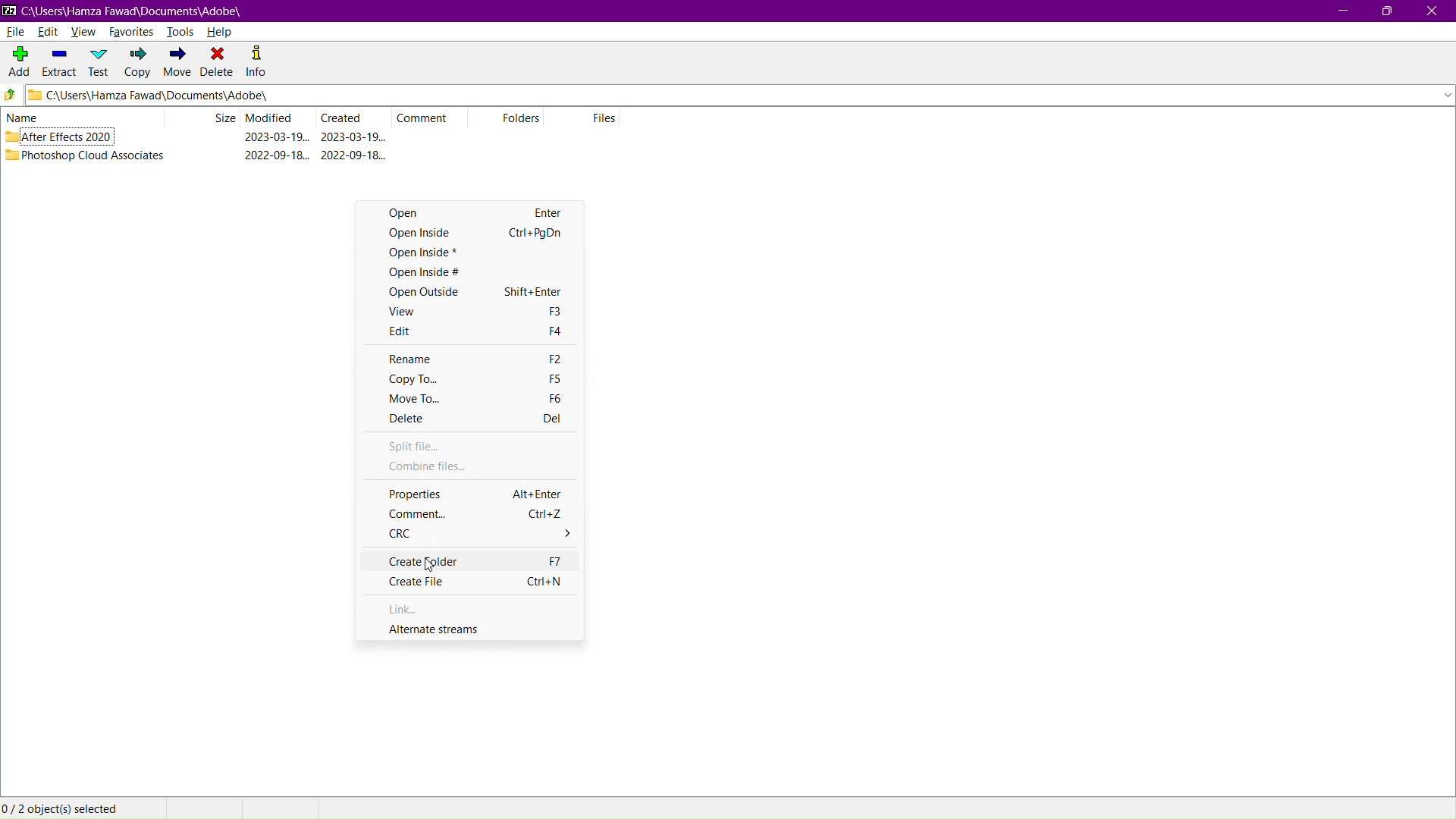 The height and width of the screenshot is (819, 1456). I want to click on Test, so click(98, 62).